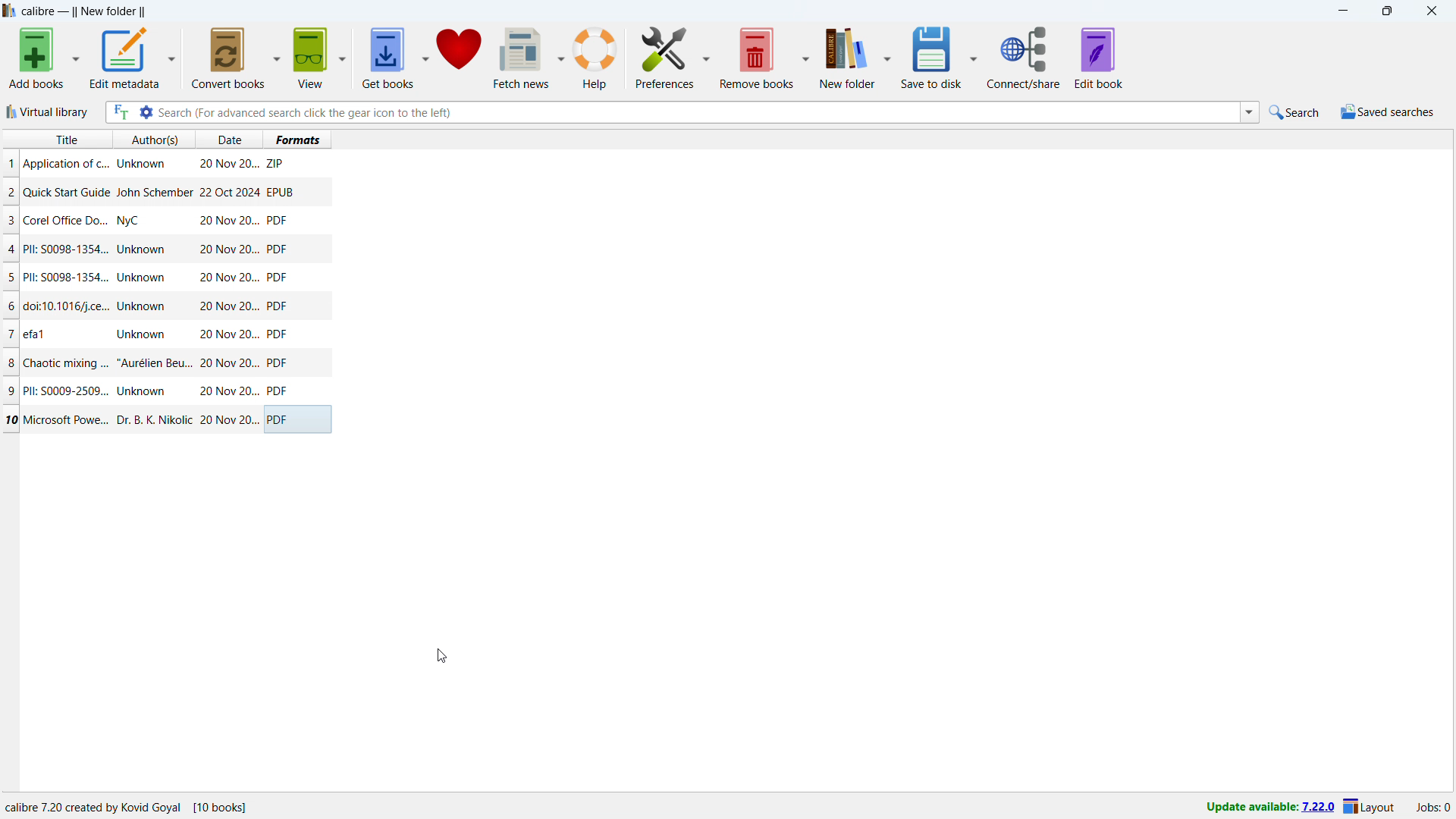  I want to click on Dr. B. K. Nikolic, so click(152, 420).